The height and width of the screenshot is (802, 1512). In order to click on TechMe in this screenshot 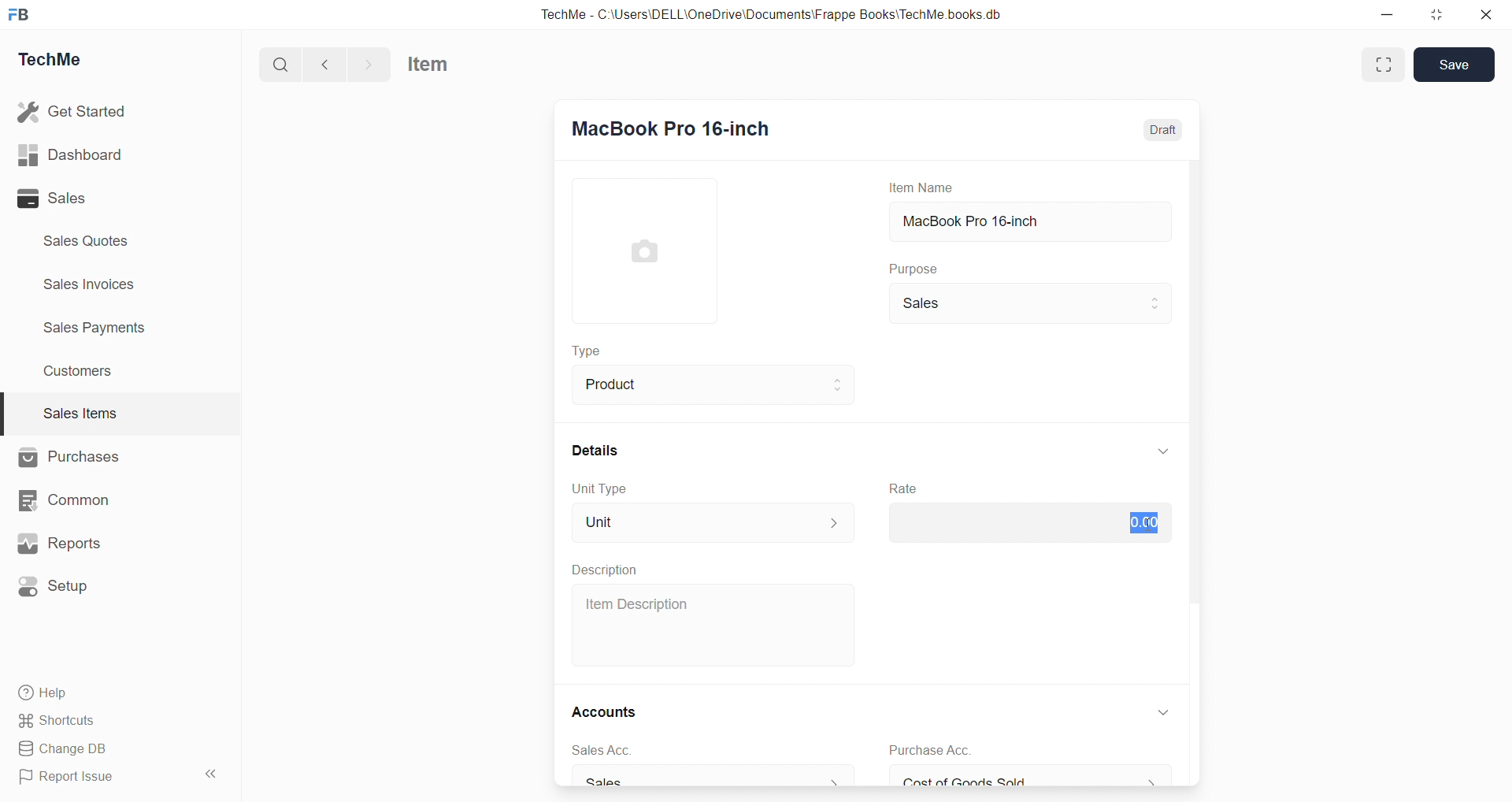, I will do `click(55, 58)`.